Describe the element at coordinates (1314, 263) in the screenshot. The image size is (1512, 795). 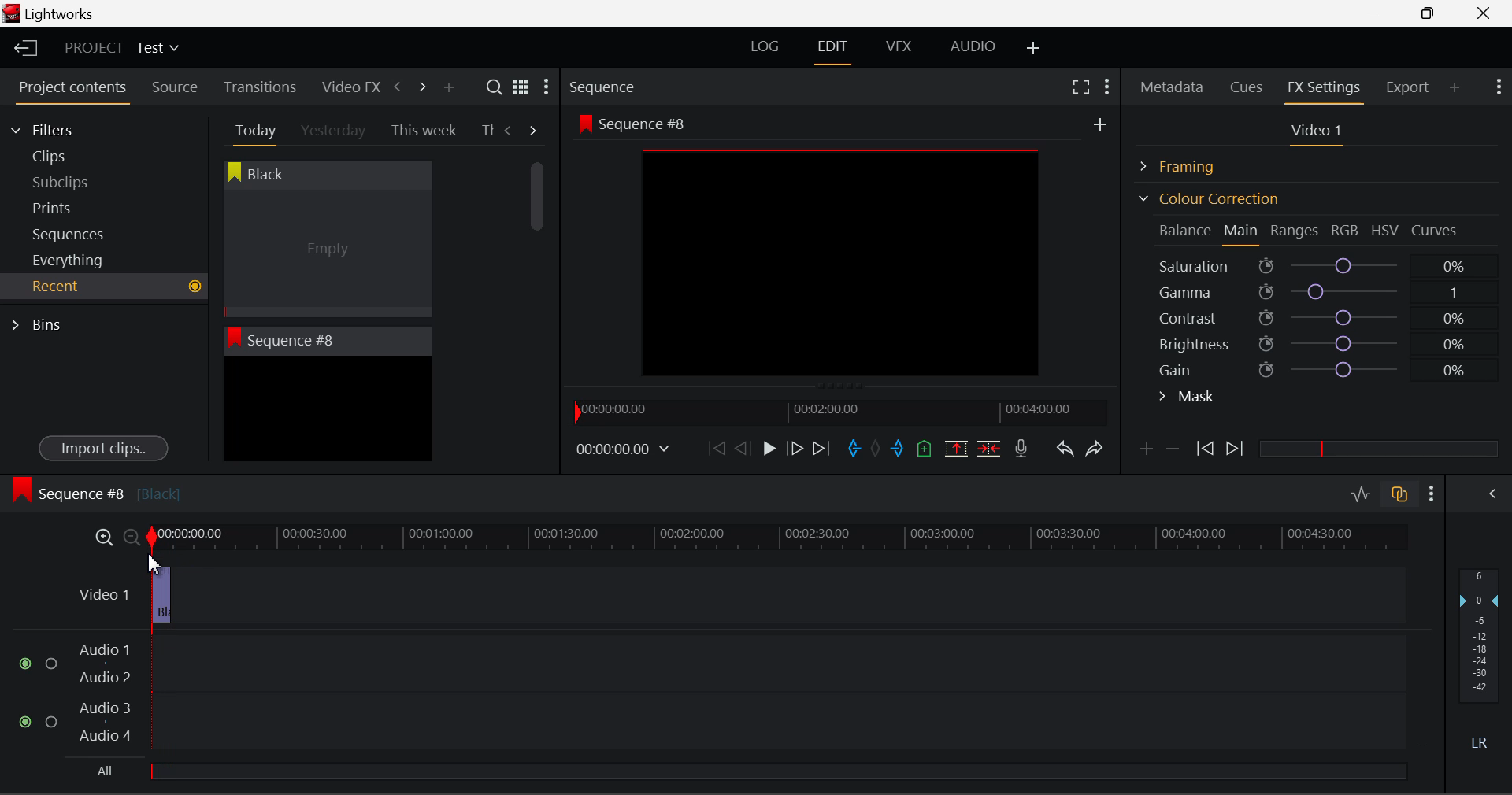
I see `Saturation` at that location.